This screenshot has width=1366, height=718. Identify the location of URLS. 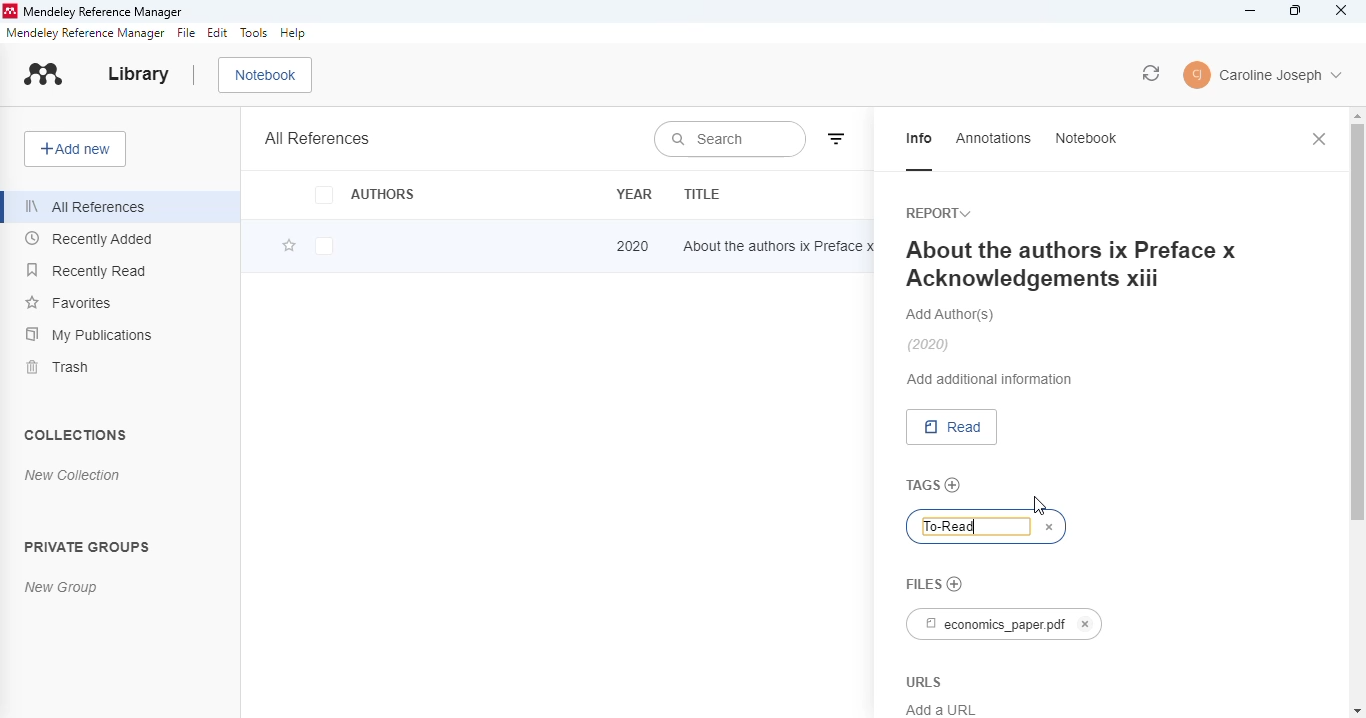
(927, 681).